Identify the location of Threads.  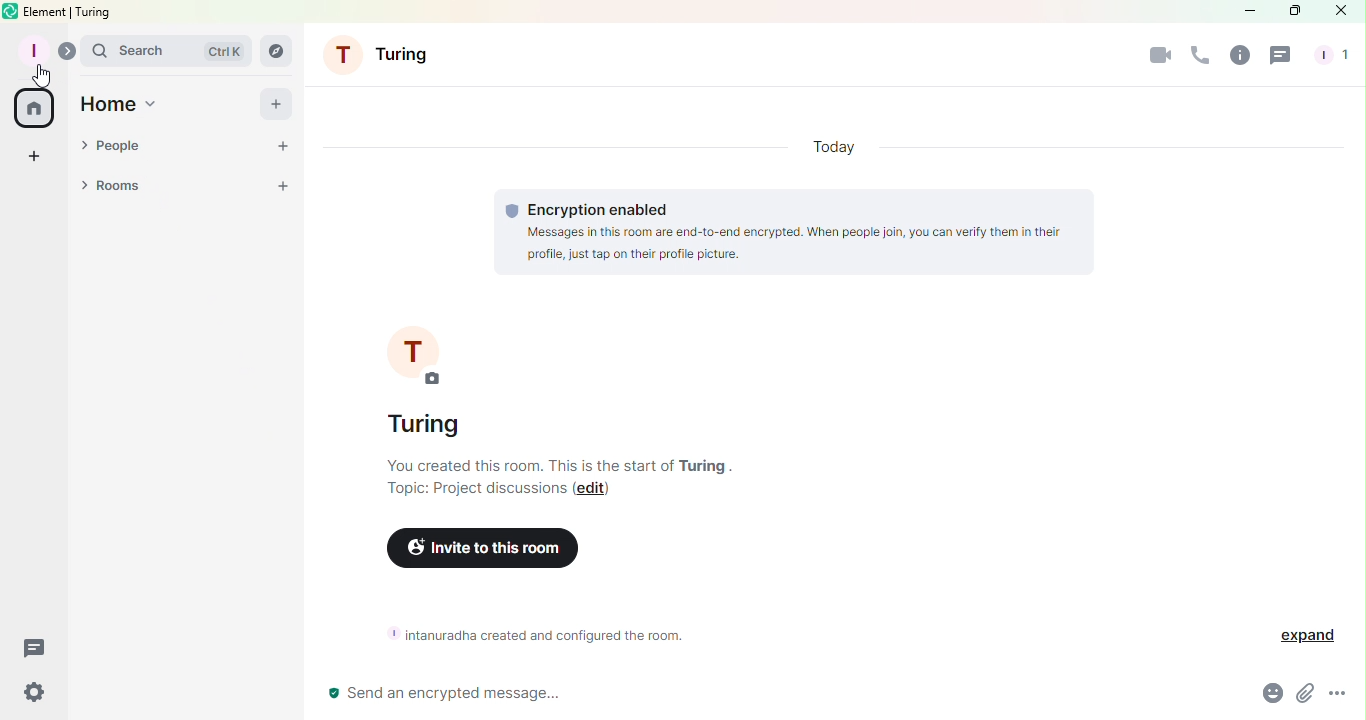
(35, 649).